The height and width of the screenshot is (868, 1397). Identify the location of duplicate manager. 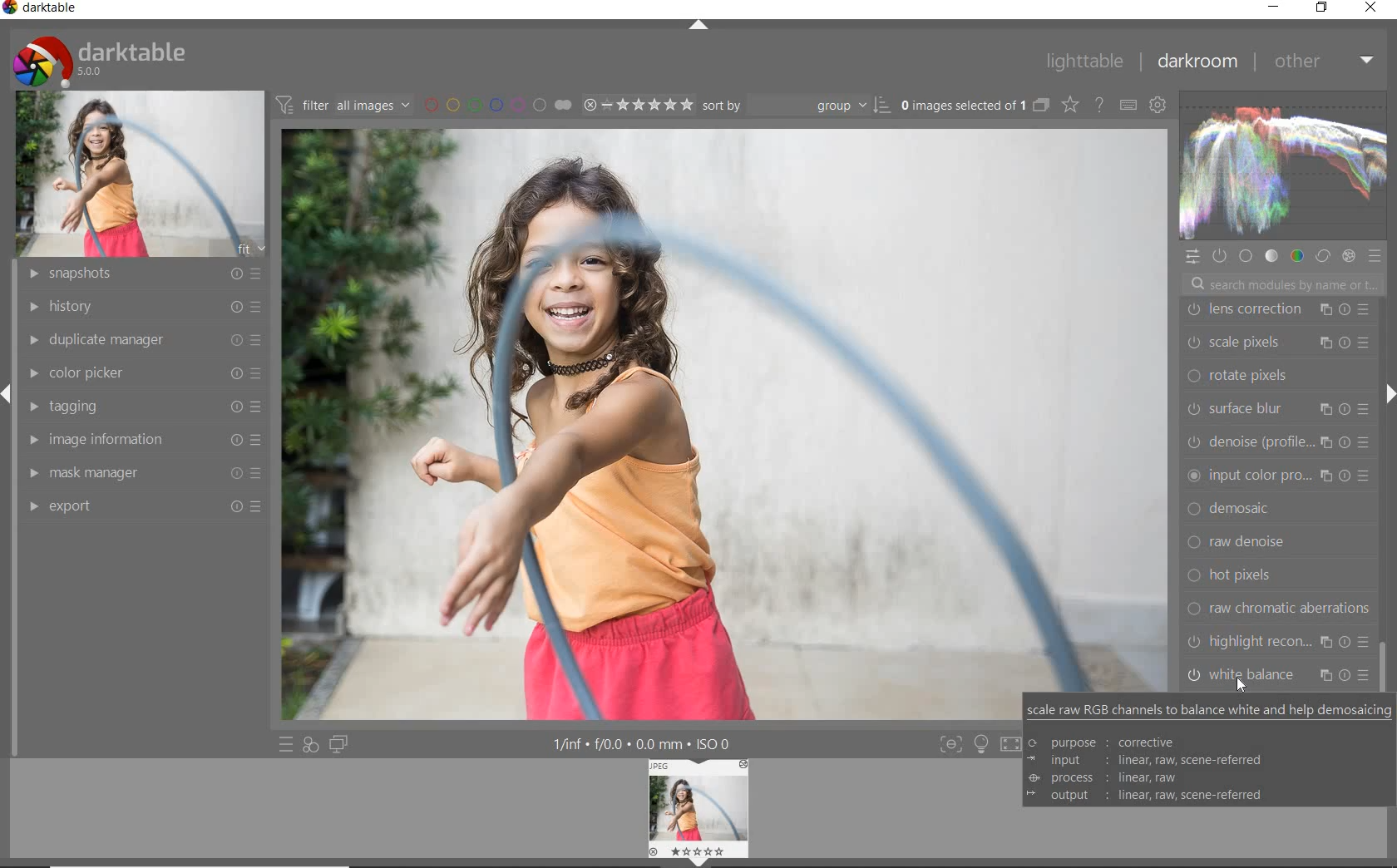
(141, 338).